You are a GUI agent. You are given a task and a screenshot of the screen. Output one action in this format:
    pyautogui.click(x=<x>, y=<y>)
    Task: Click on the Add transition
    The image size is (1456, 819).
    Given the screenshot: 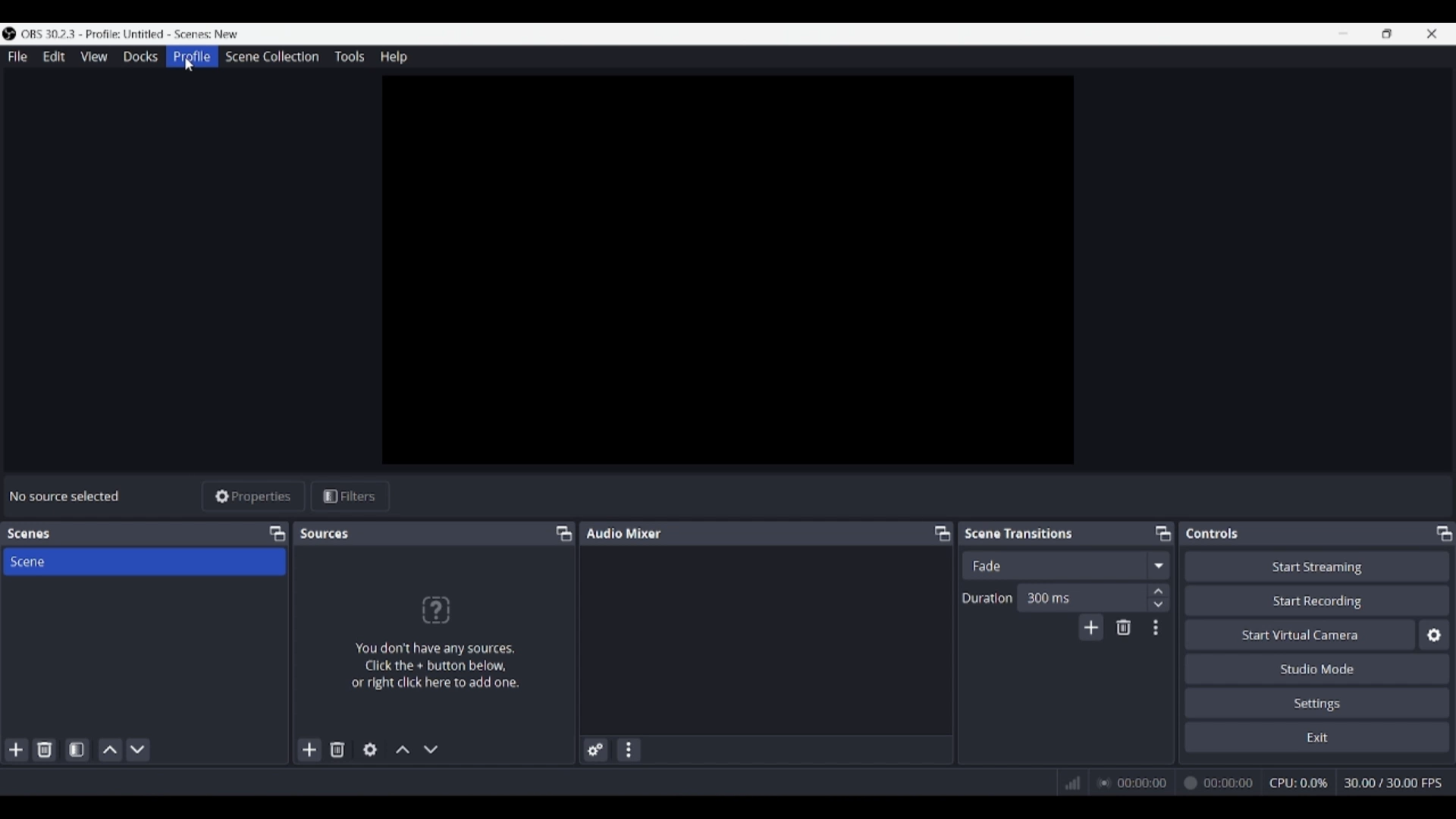 What is the action you would take?
    pyautogui.click(x=1090, y=627)
    